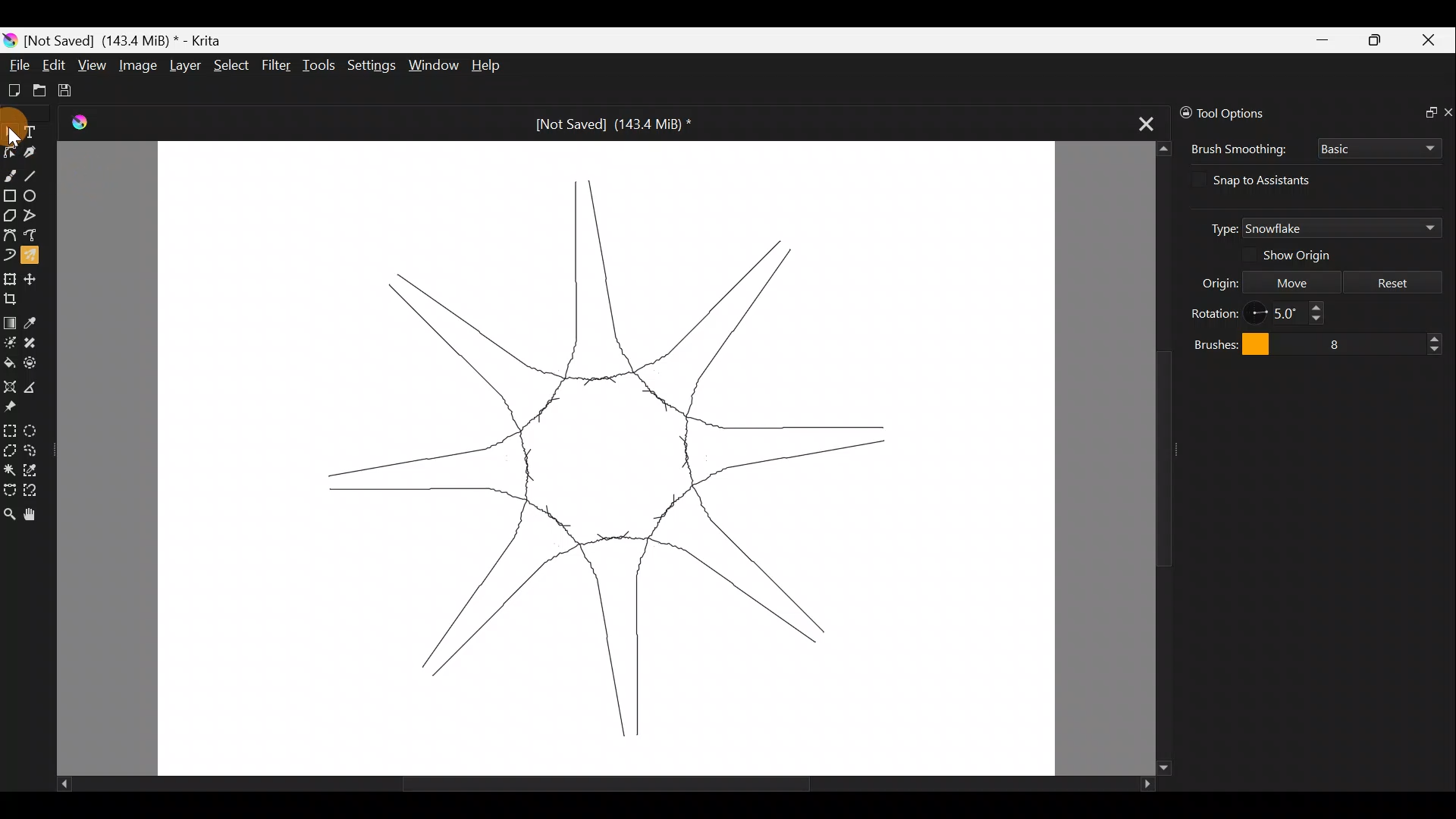  What do you see at coordinates (36, 385) in the screenshot?
I see `Measure the distance between two points` at bounding box center [36, 385].